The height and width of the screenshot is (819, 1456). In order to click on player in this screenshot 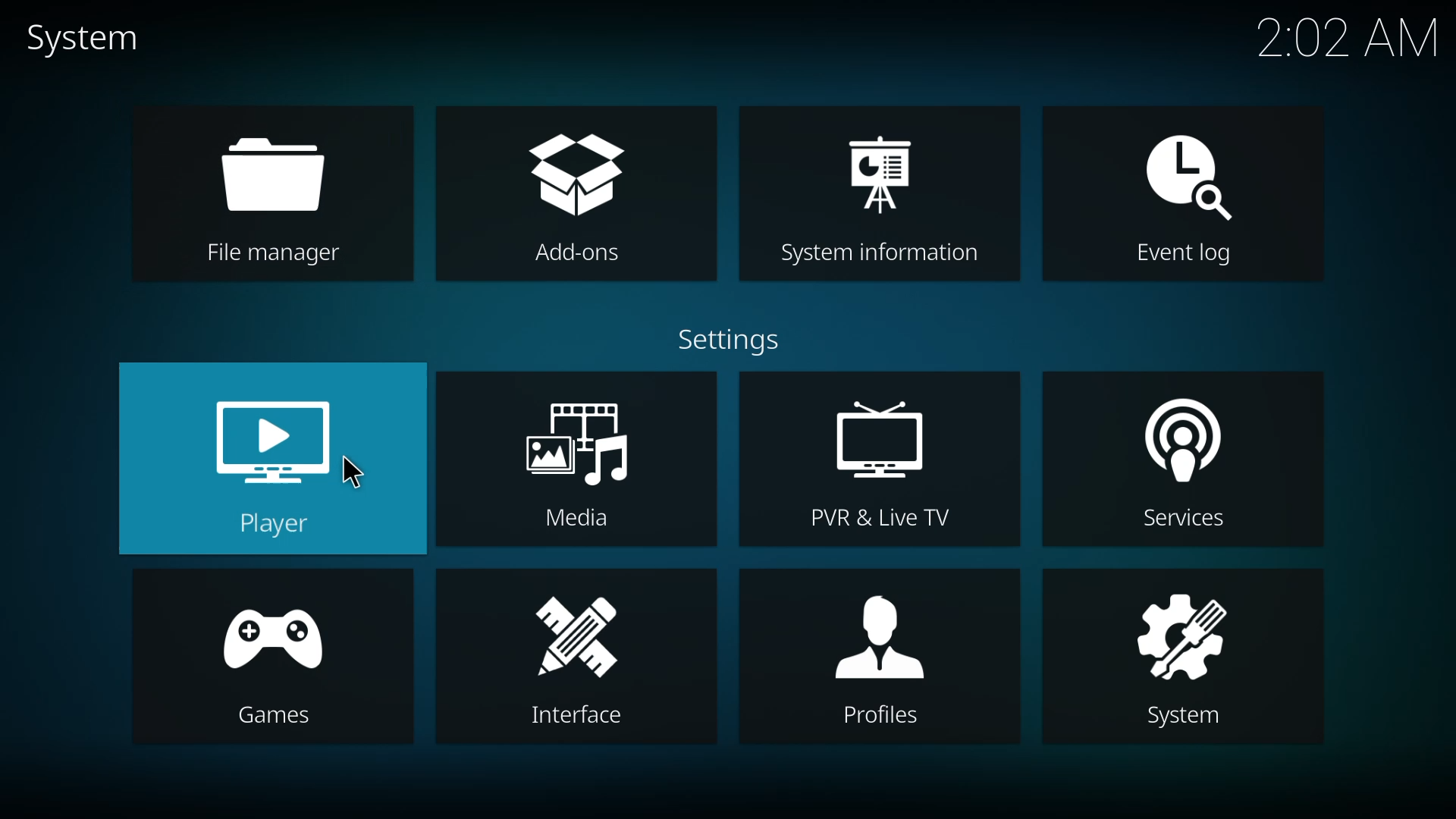, I will do `click(271, 460)`.